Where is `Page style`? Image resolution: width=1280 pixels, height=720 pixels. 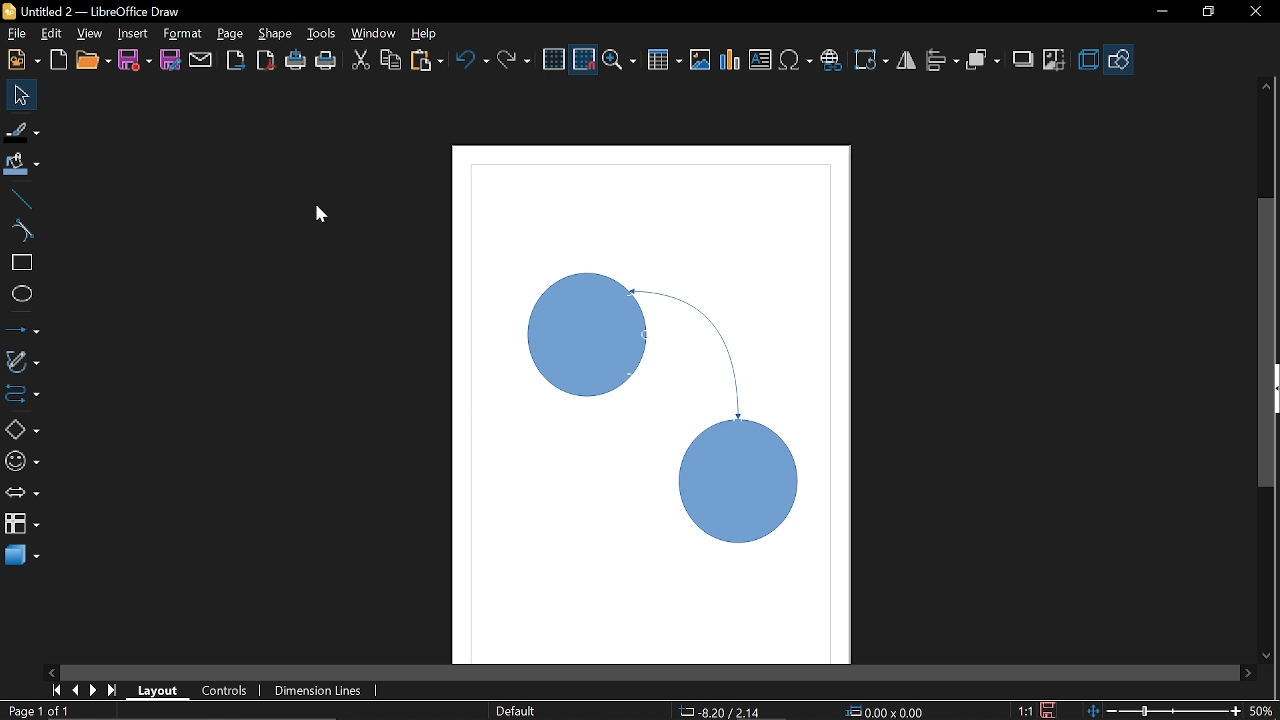
Page style is located at coordinates (516, 712).